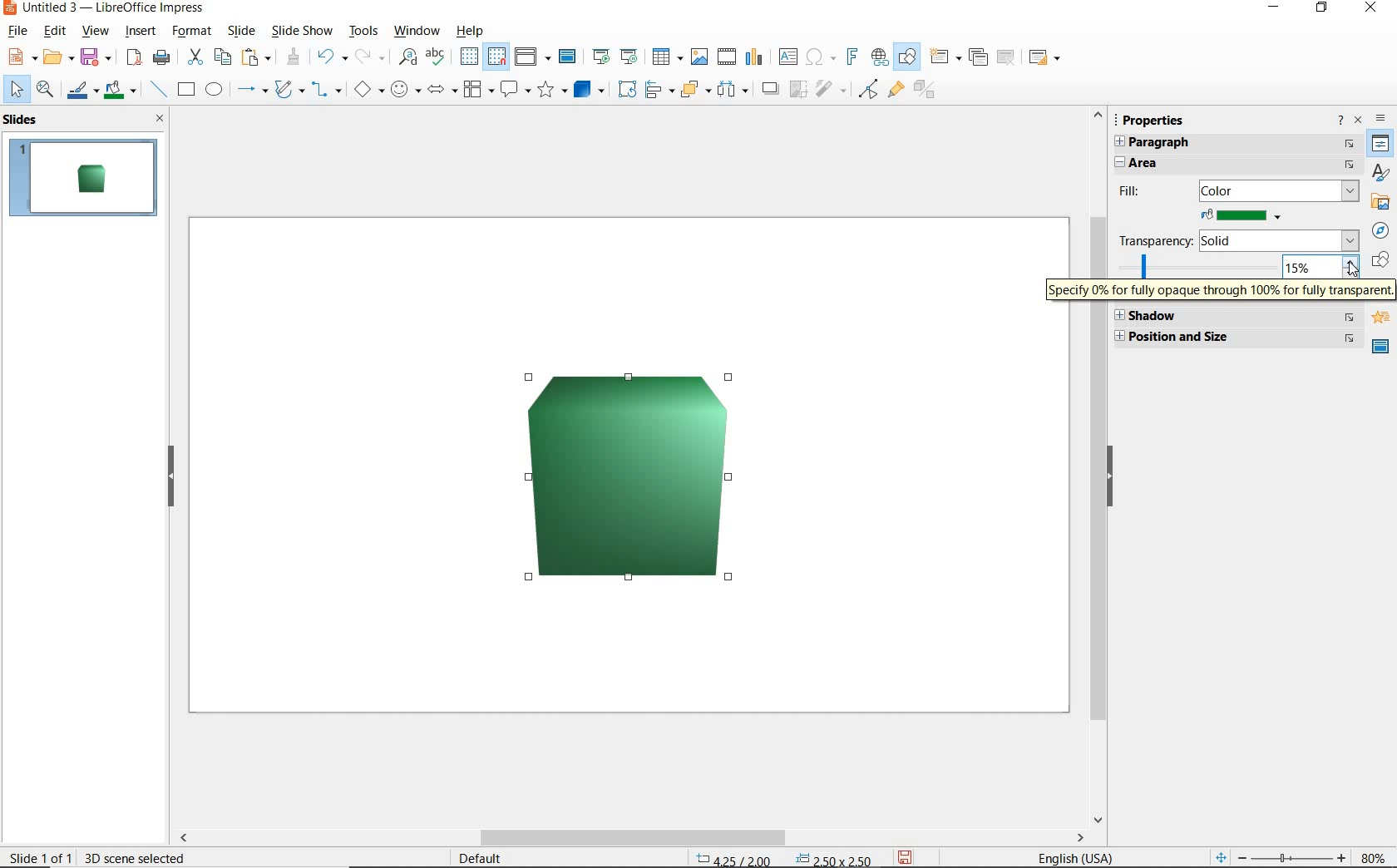 This screenshot has height=868, width=1397. I want to click on ZOOM FACTOR, so click(1371, 855).